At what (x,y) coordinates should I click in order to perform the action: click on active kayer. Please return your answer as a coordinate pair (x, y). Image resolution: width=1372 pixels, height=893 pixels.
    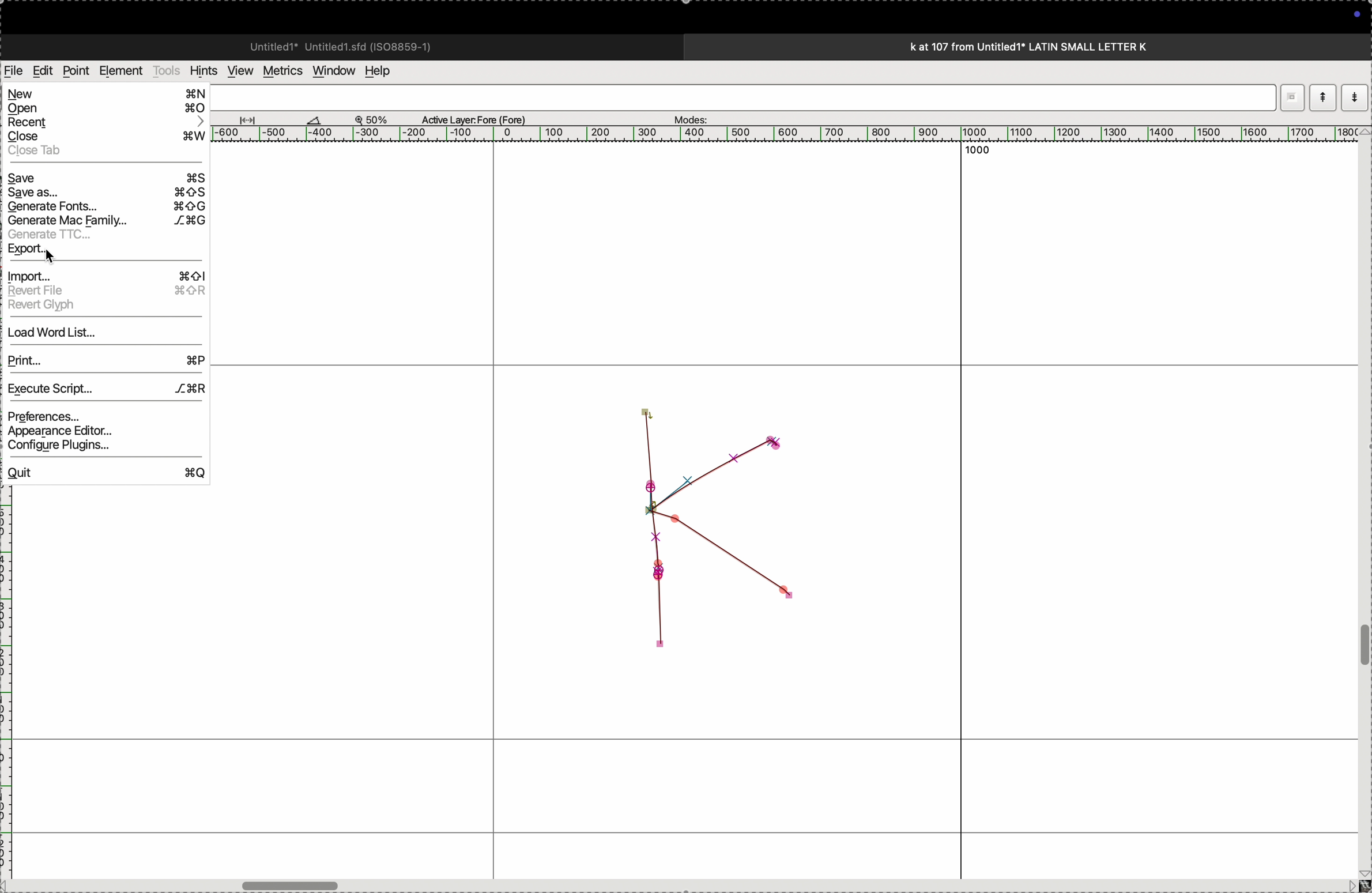
    Looking at the image, I should click on (481, 118).